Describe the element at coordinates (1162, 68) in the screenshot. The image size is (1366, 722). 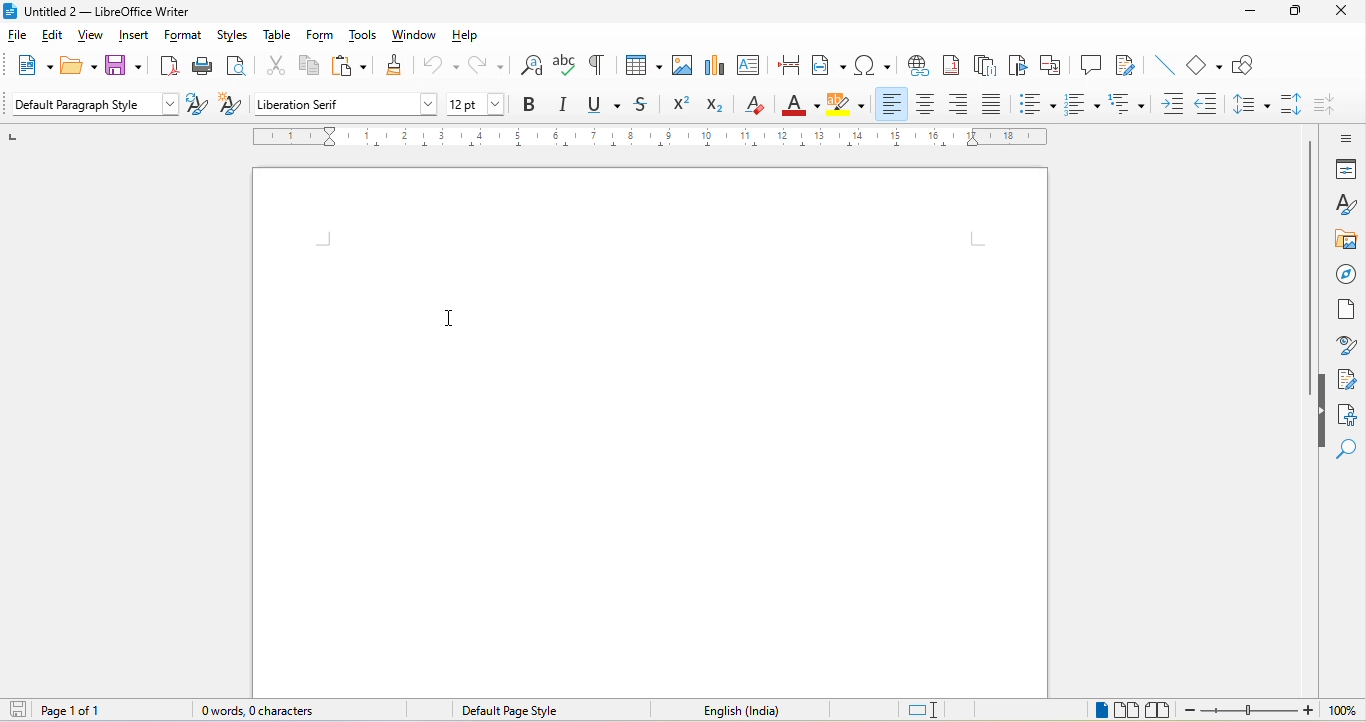
I see `line` at that location.